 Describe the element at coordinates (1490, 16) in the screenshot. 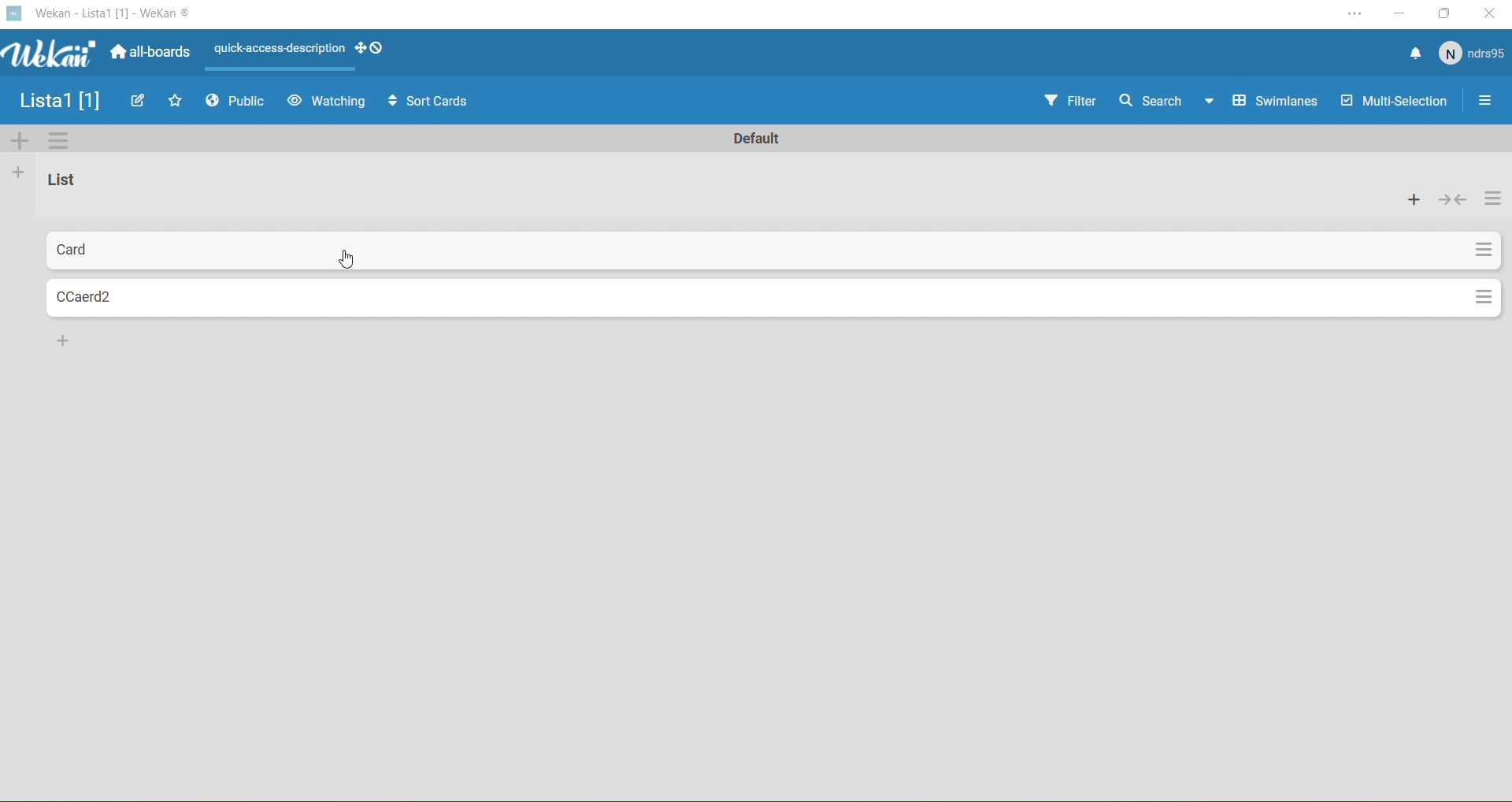

I see `Close` at that location.